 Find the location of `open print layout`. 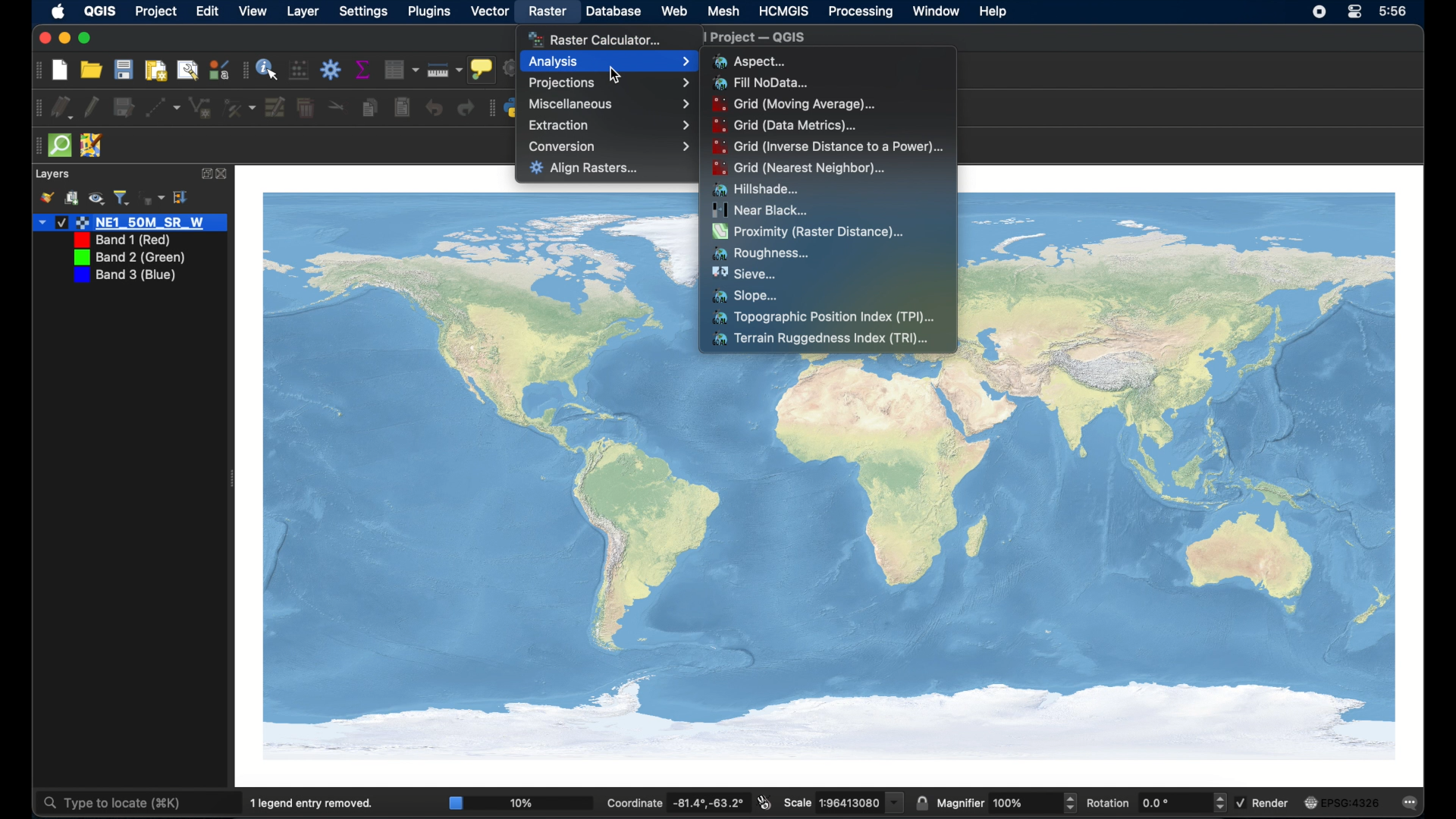

open print layout is located at coordinates (155, 70).